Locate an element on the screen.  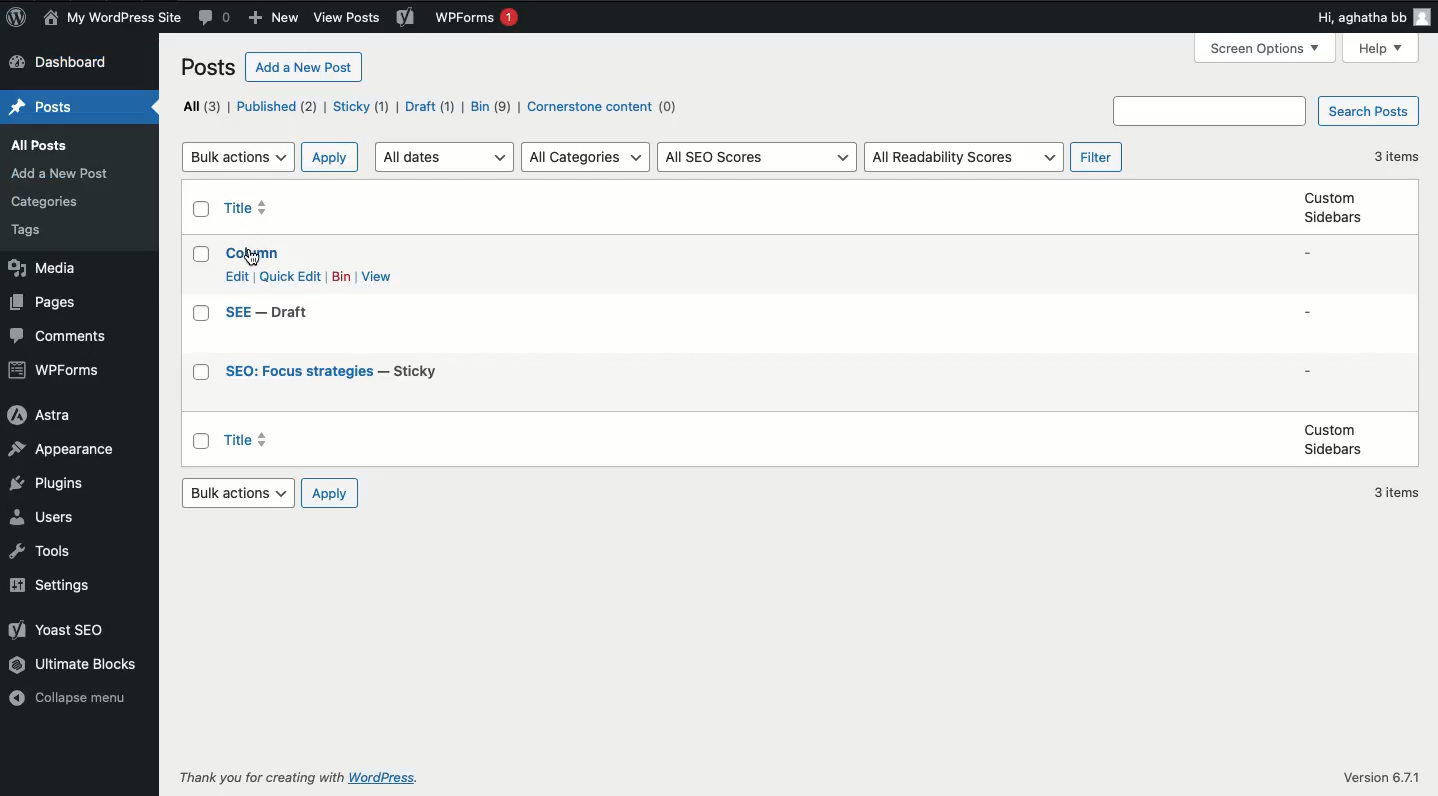
title is located at coordinates (243, 439).